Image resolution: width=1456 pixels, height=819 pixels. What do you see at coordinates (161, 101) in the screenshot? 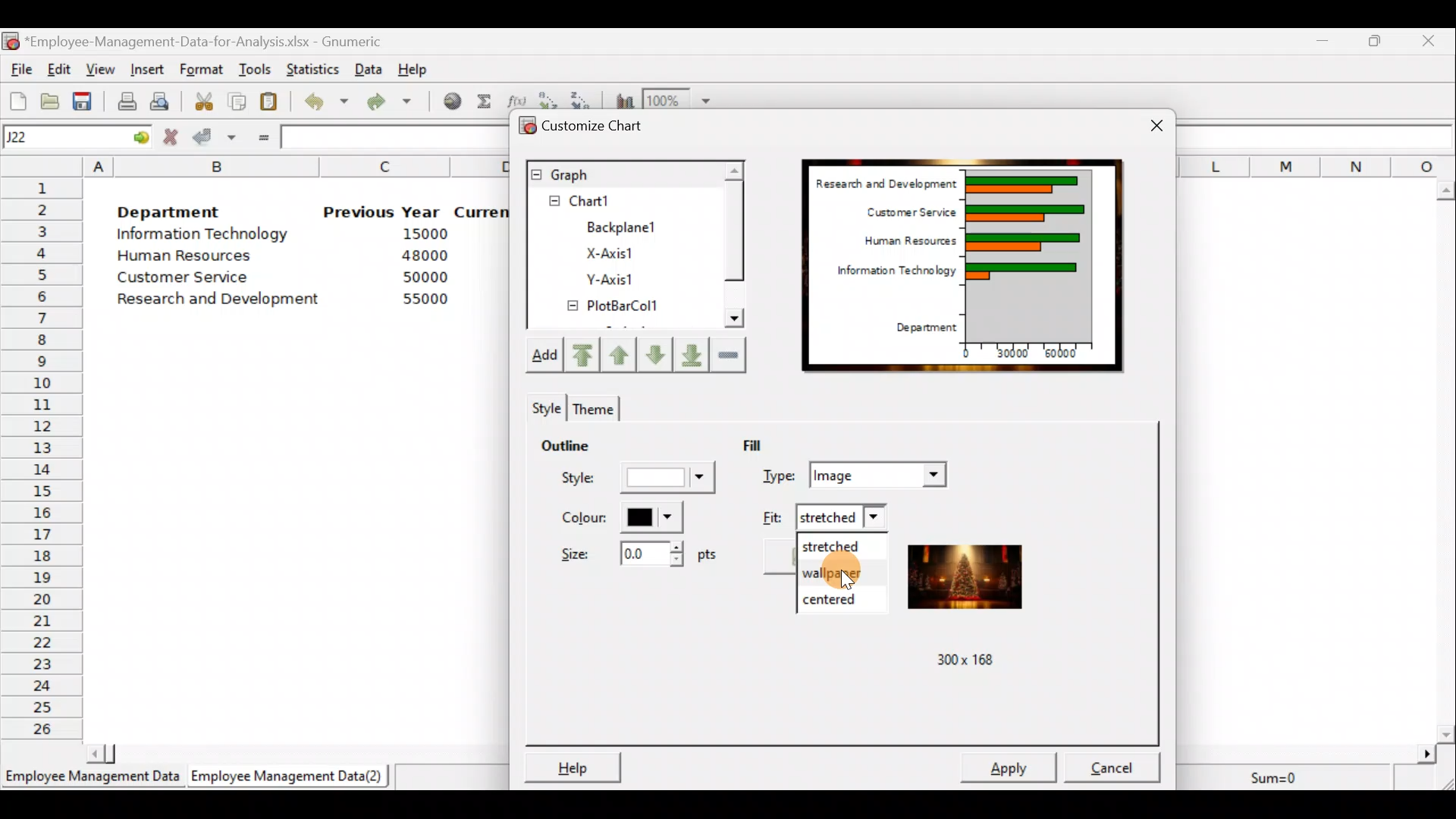
I see `Print preview` at bounding box center [161, 101].